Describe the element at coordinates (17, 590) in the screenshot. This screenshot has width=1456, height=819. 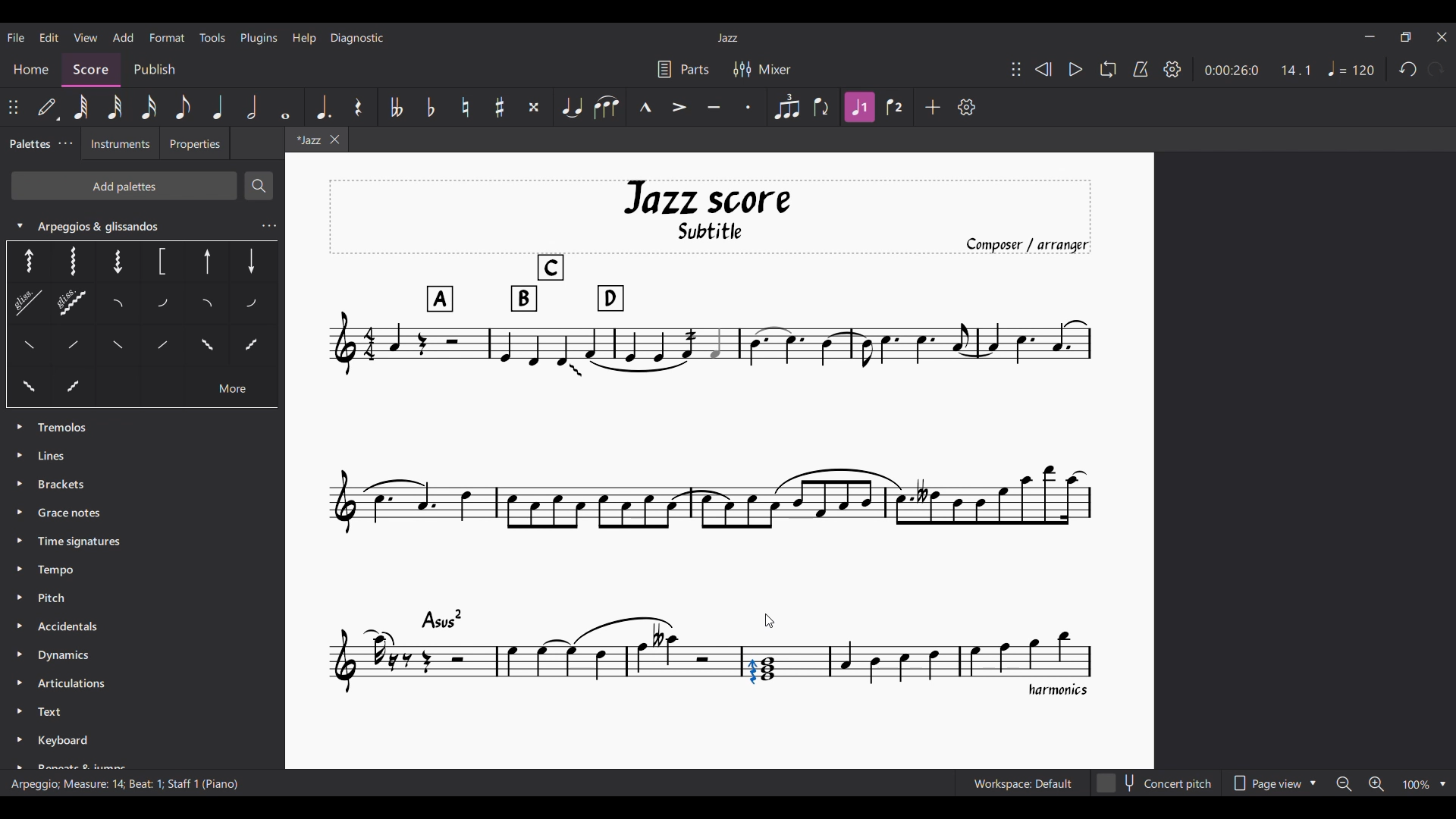
I see `Expand` at that location.